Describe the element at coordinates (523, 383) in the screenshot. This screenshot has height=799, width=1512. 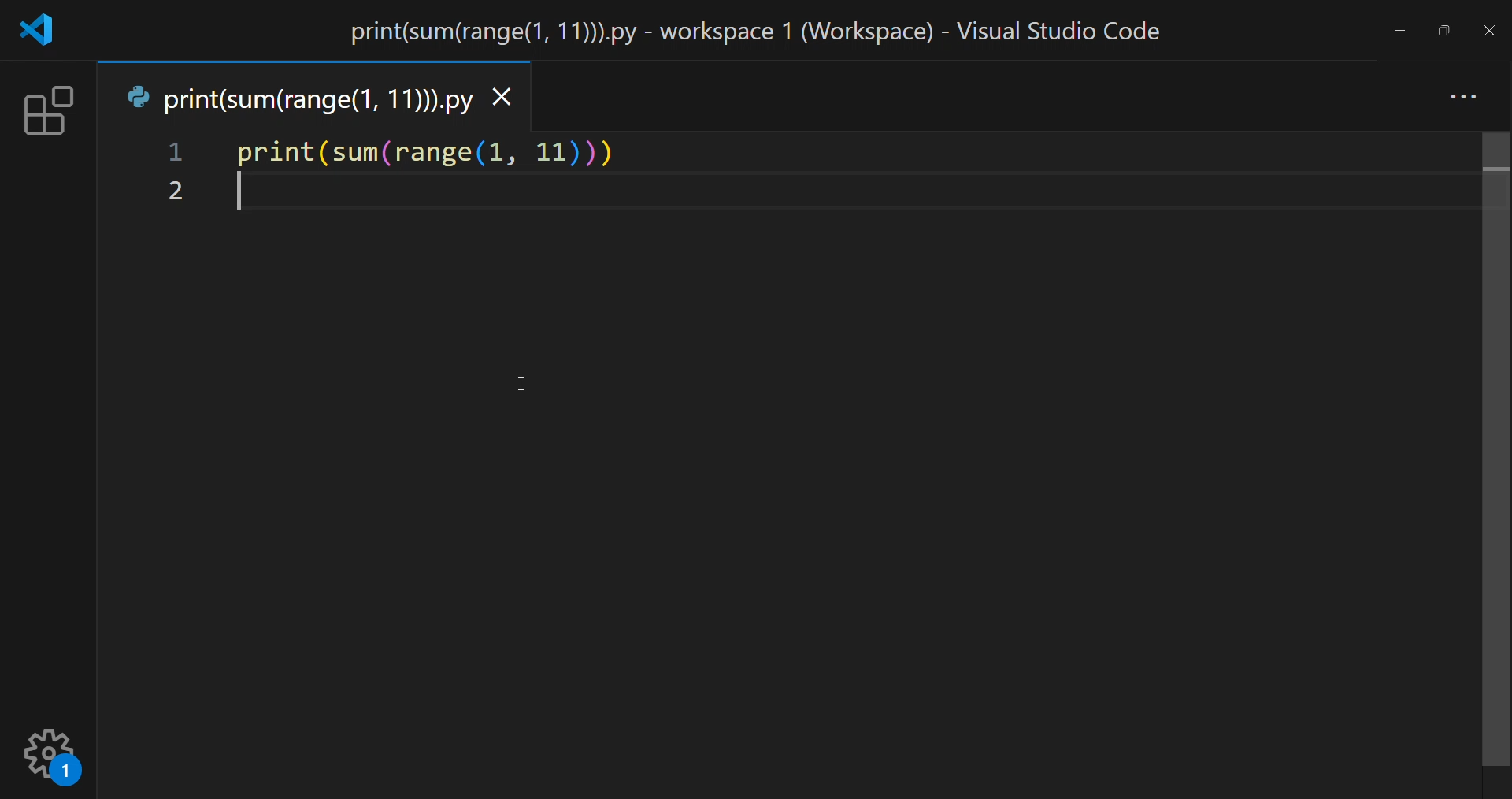
I see `cursor` at that location.